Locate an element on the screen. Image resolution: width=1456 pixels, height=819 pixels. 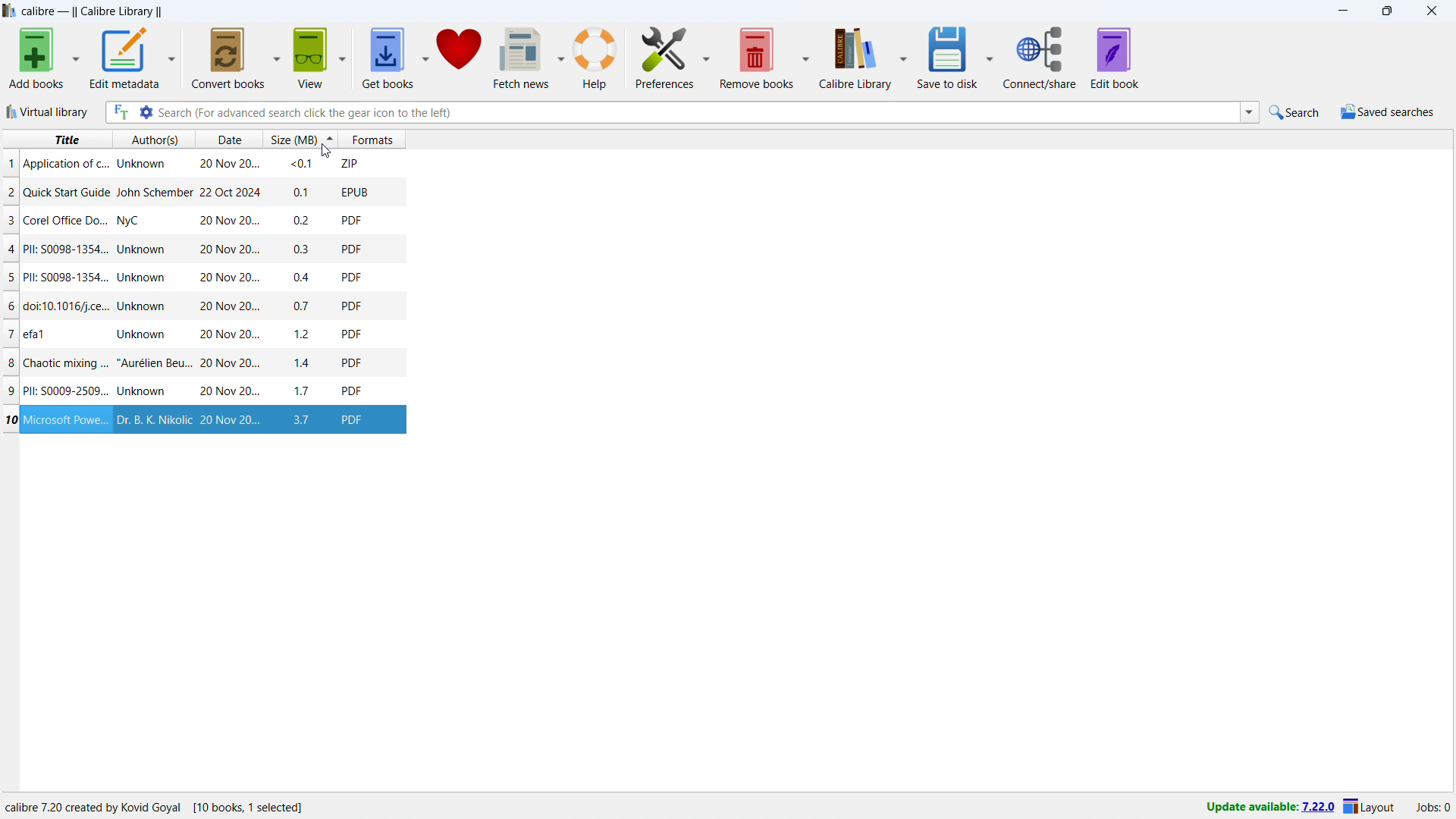
PDF is located at coordinates (350, 306).